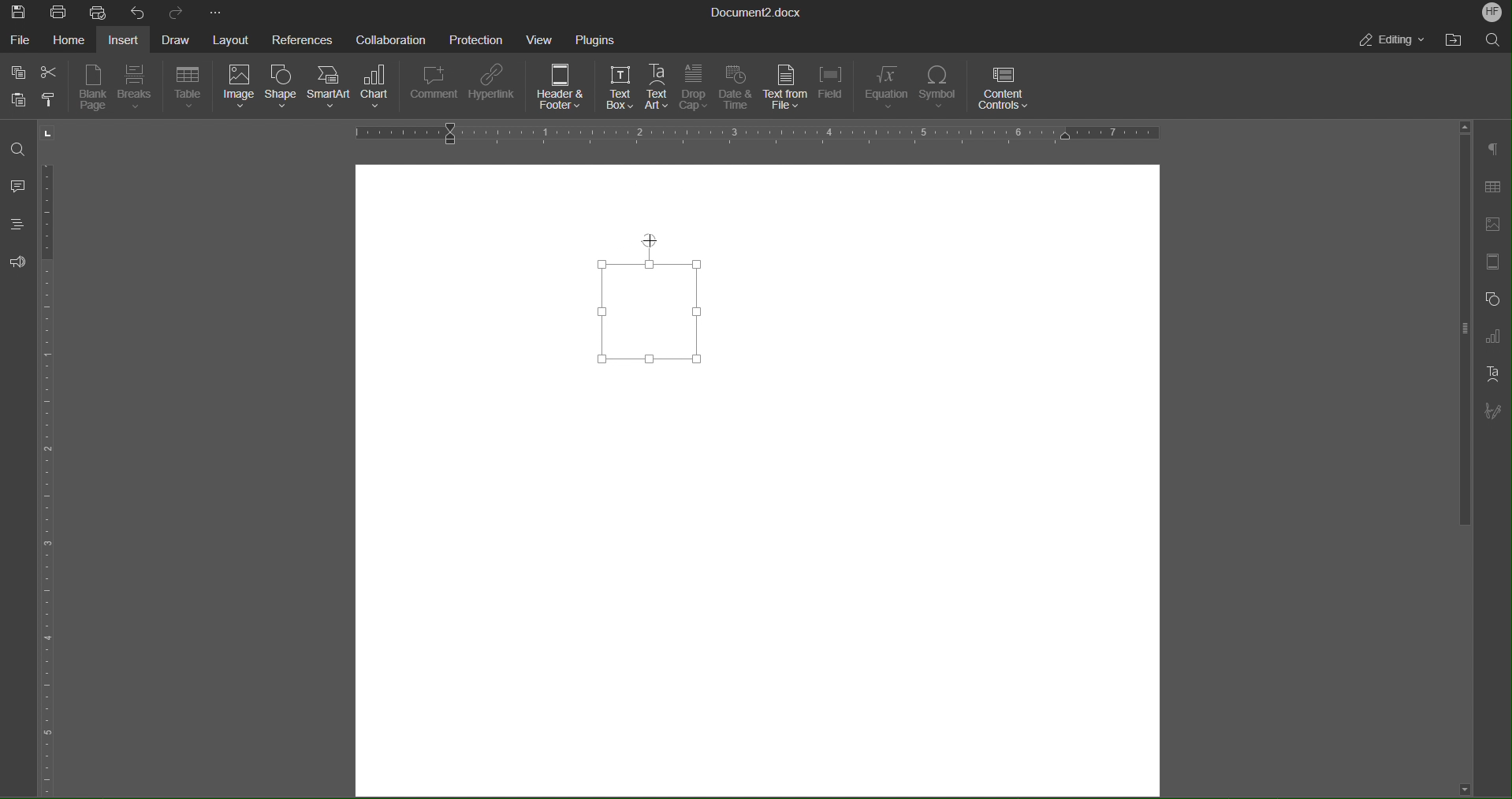 The height and width of the screenshot is (799, 1512). I want to click on Header/Footer, so click(1490, 262).